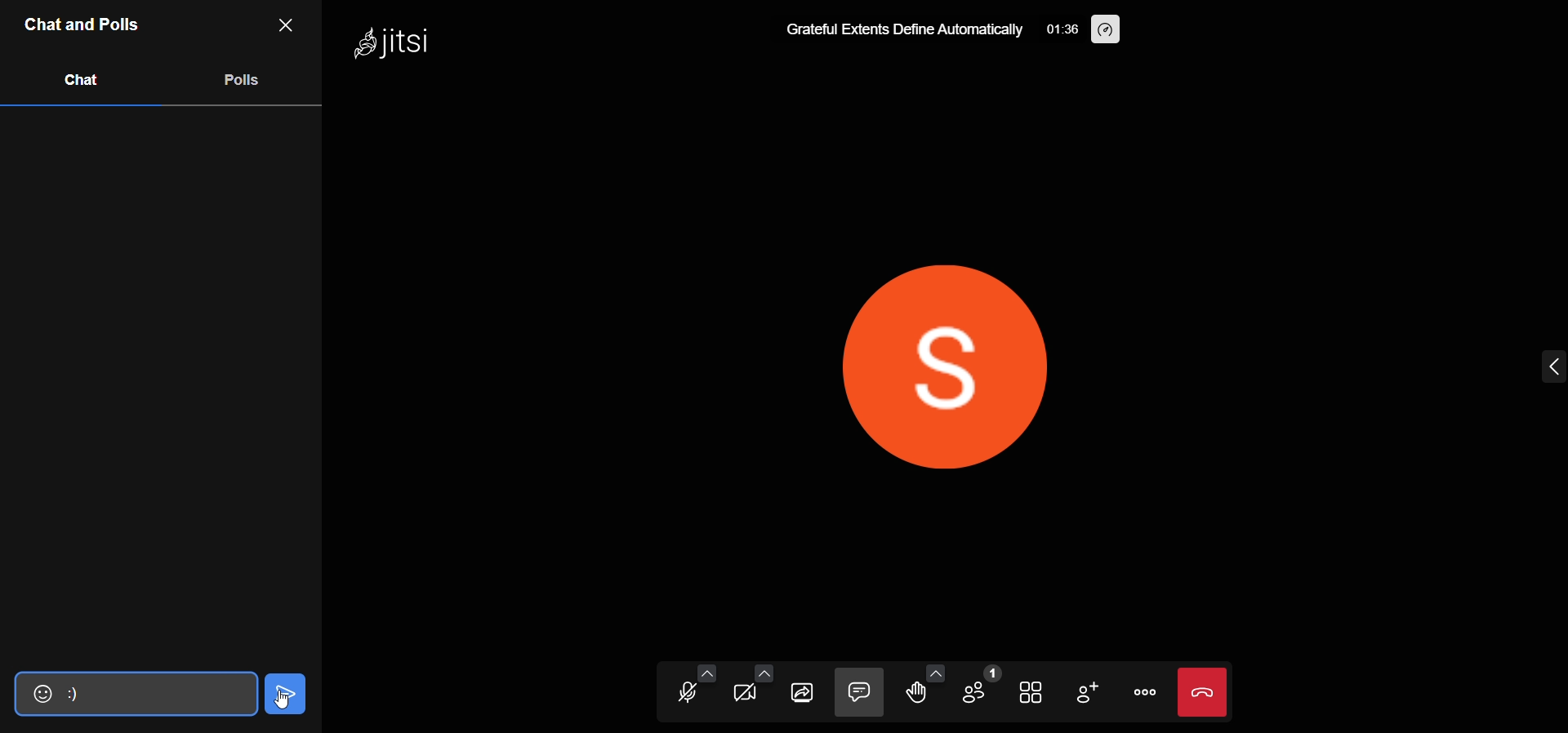 This screenshot has height=733, width=1568. I want to click on more, so click(1147, 691).